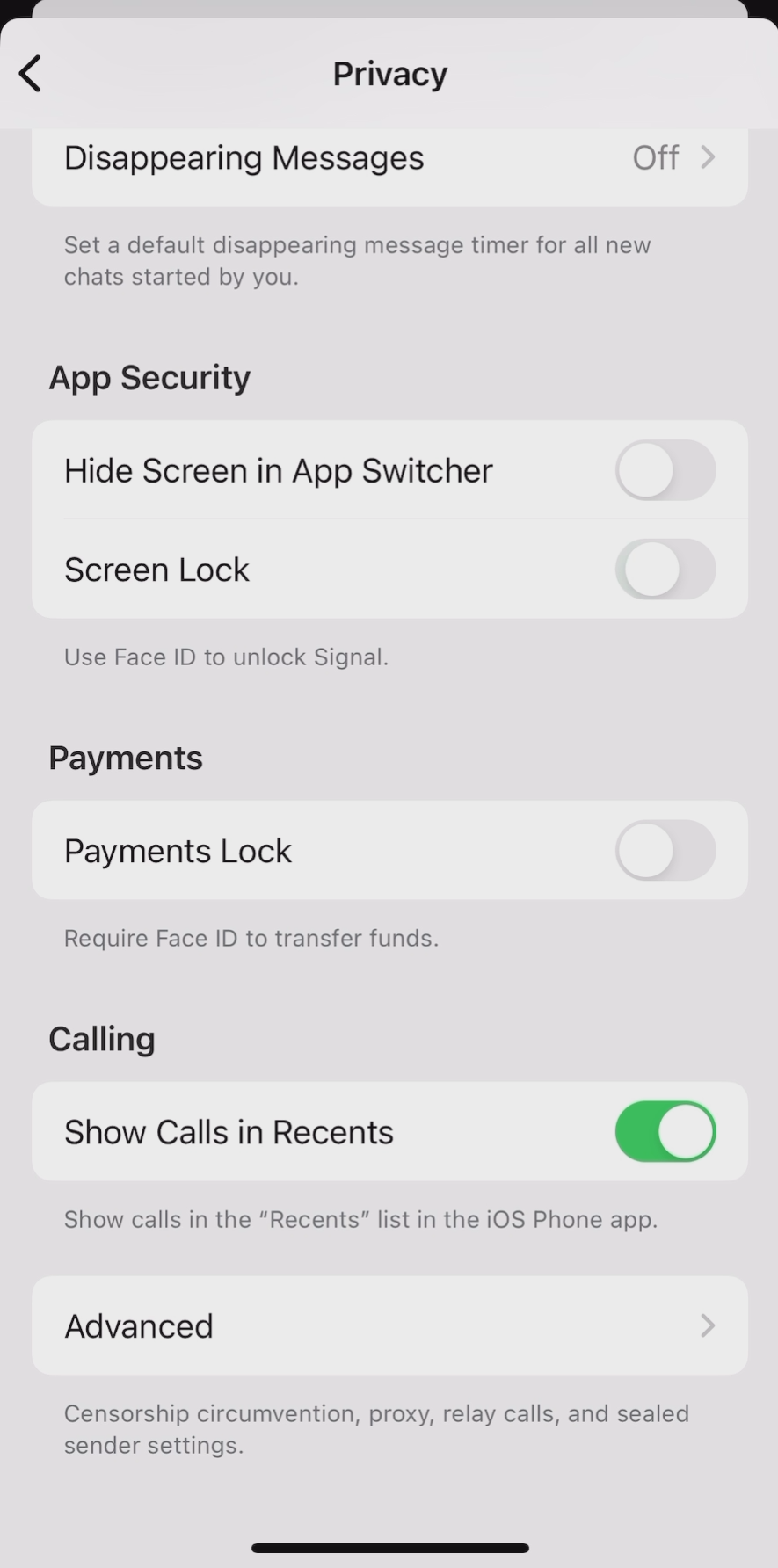 The image size is (778, 1568). I want to click on App Security, so click(150, 380).